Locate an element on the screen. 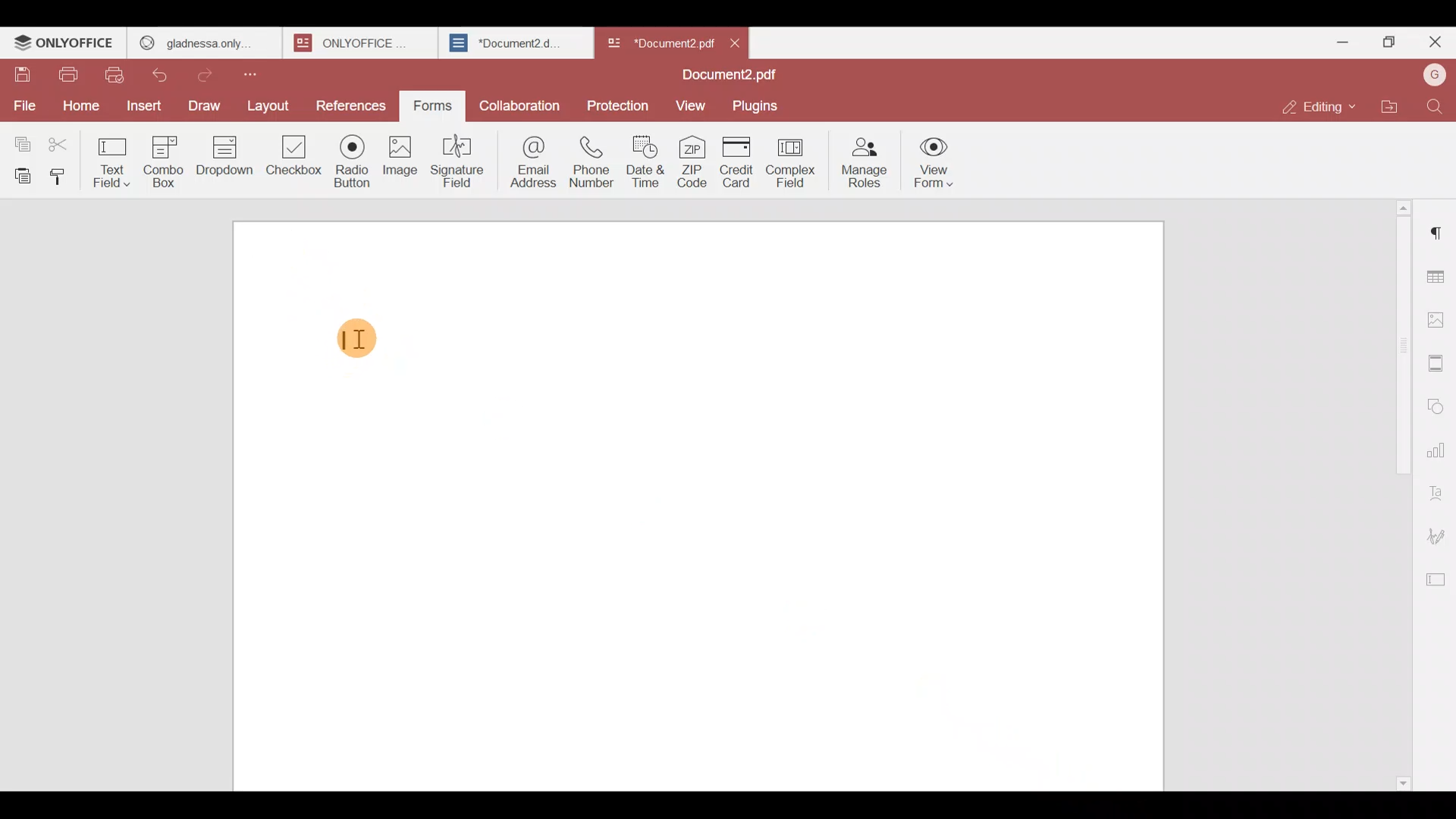 Image resolution: width=1456 pixels, height=819 pixels. Complex field is located at coordinates (796, 160).